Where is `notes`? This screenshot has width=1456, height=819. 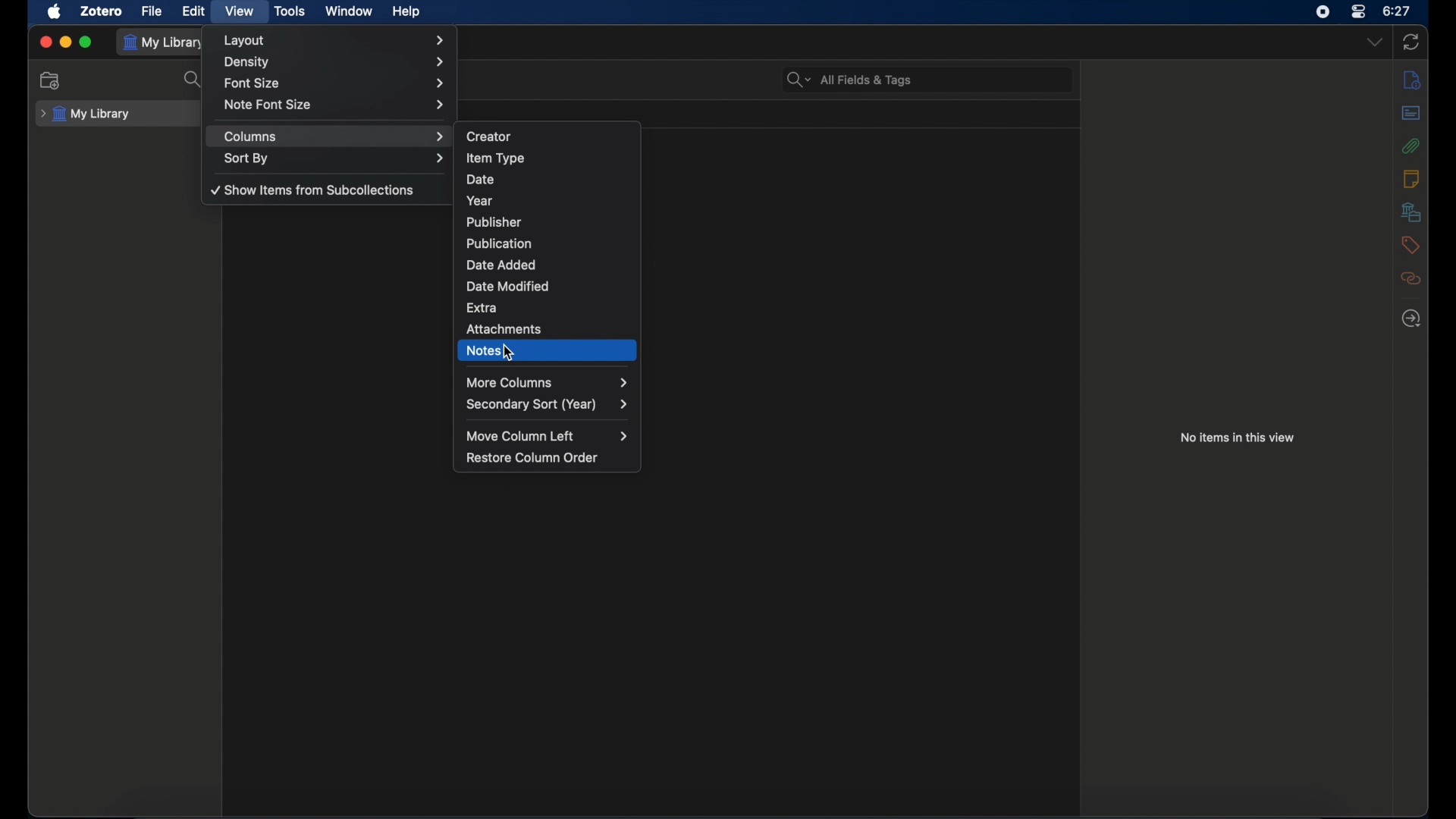
notes is located at coordinates (485, 351).